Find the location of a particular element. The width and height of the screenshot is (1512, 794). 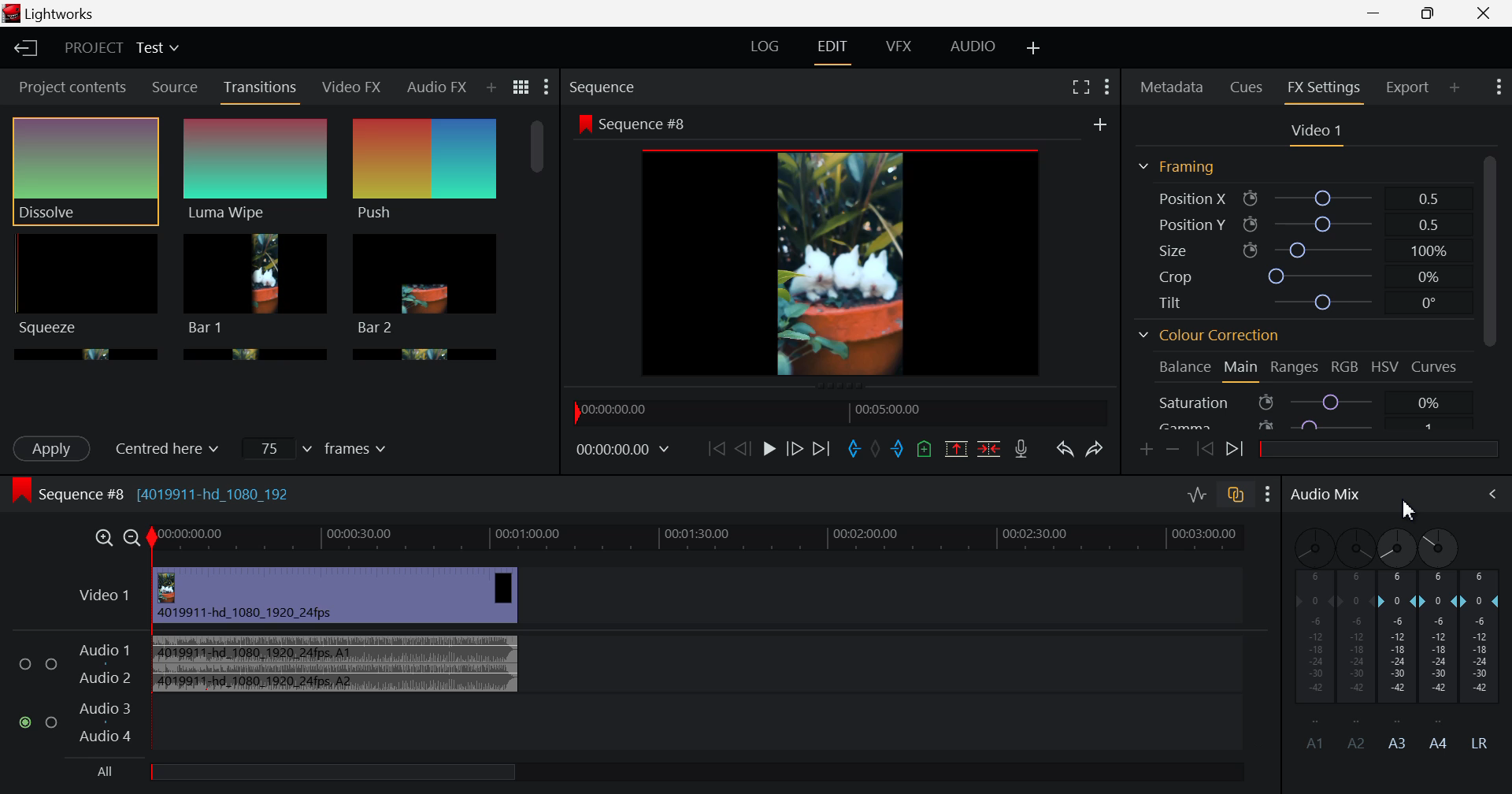

Export is located at coordinates (1408, 87).